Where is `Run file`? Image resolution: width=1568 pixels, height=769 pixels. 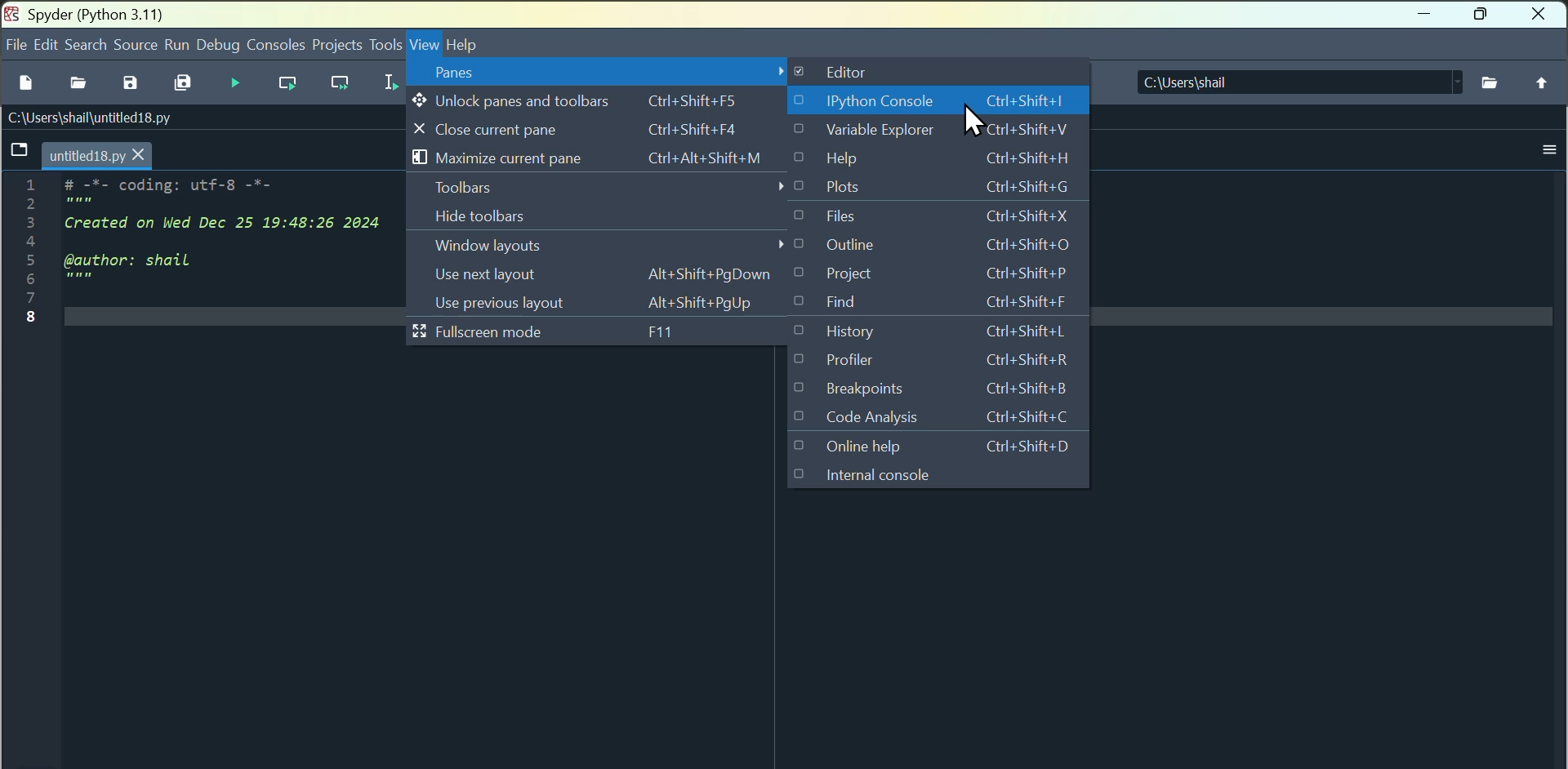
Run file is located at coordinates (236, 83).